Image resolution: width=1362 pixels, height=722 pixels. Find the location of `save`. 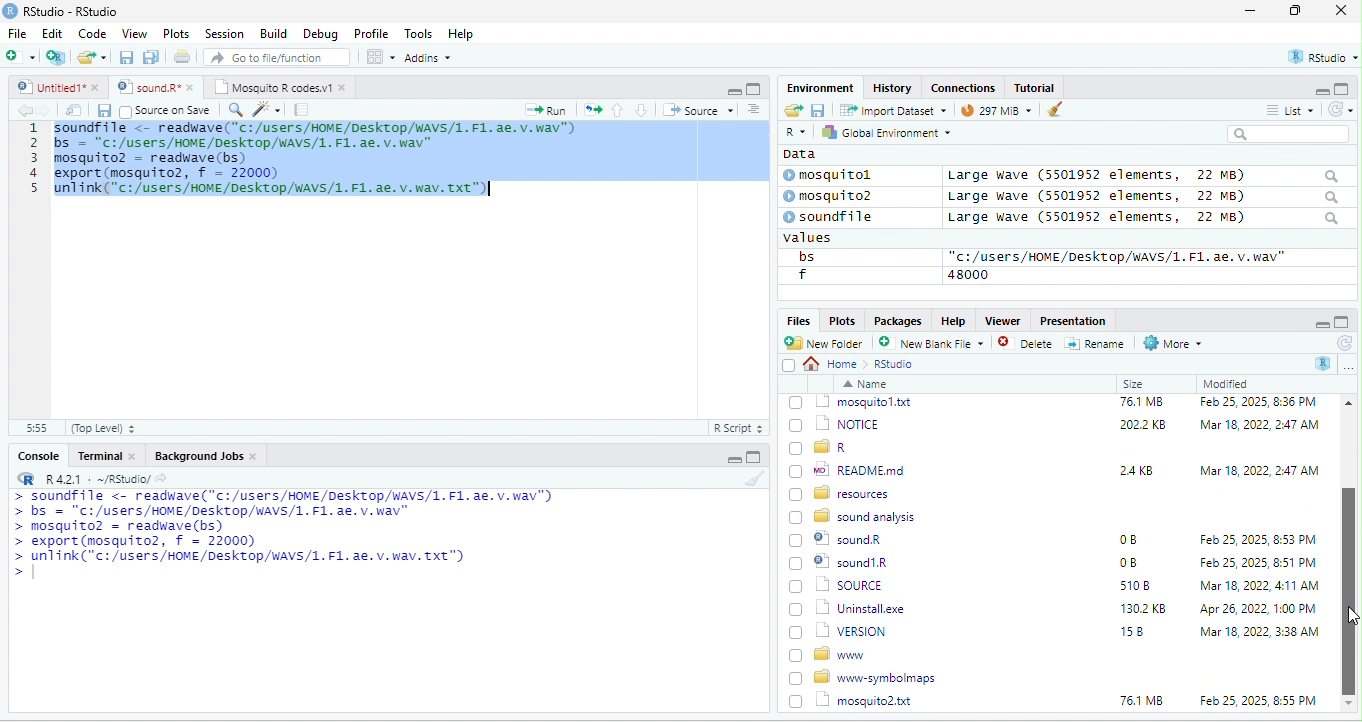

save is located at coordinates (128, 58).